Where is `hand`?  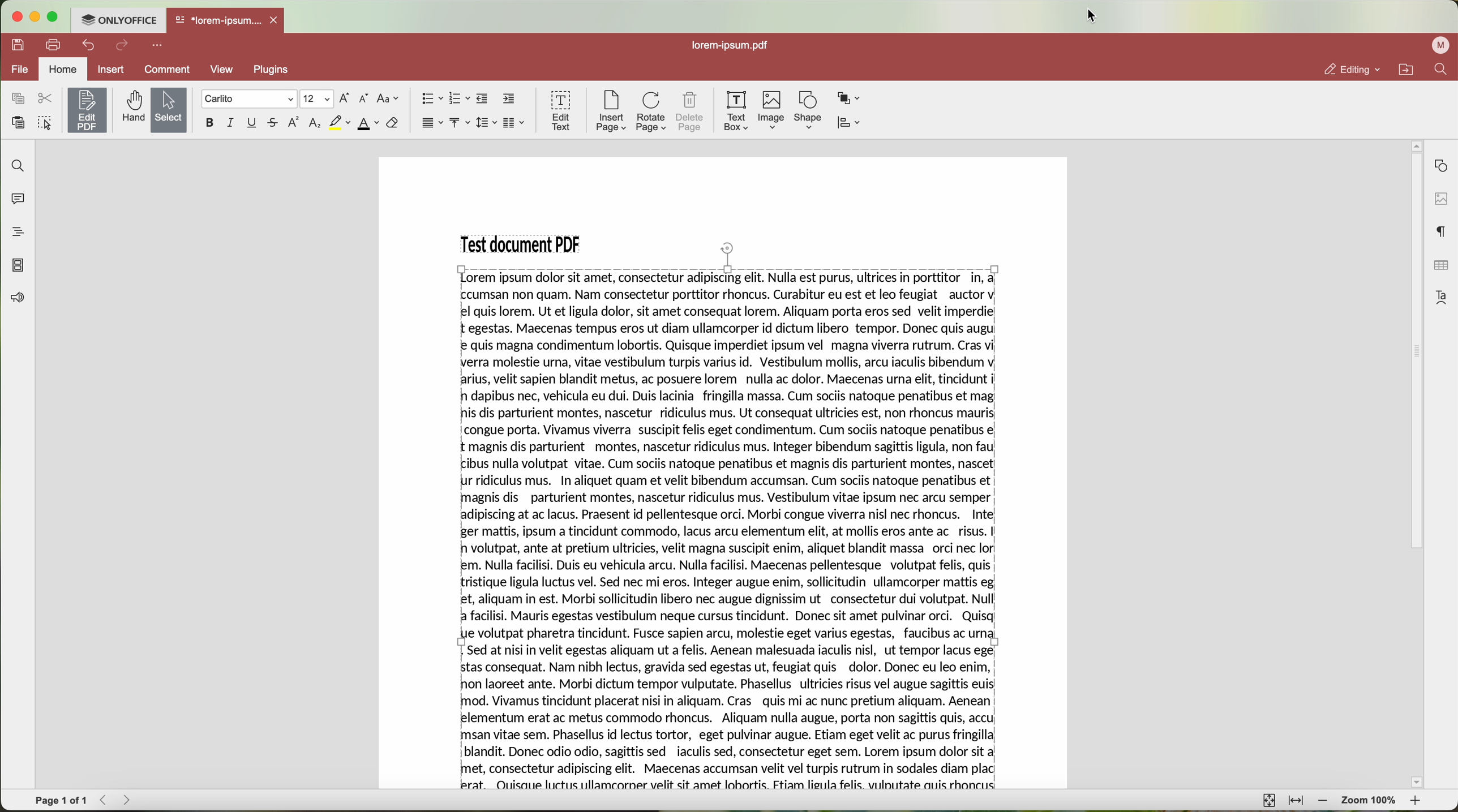
hand is located at coordinates (131, 110).